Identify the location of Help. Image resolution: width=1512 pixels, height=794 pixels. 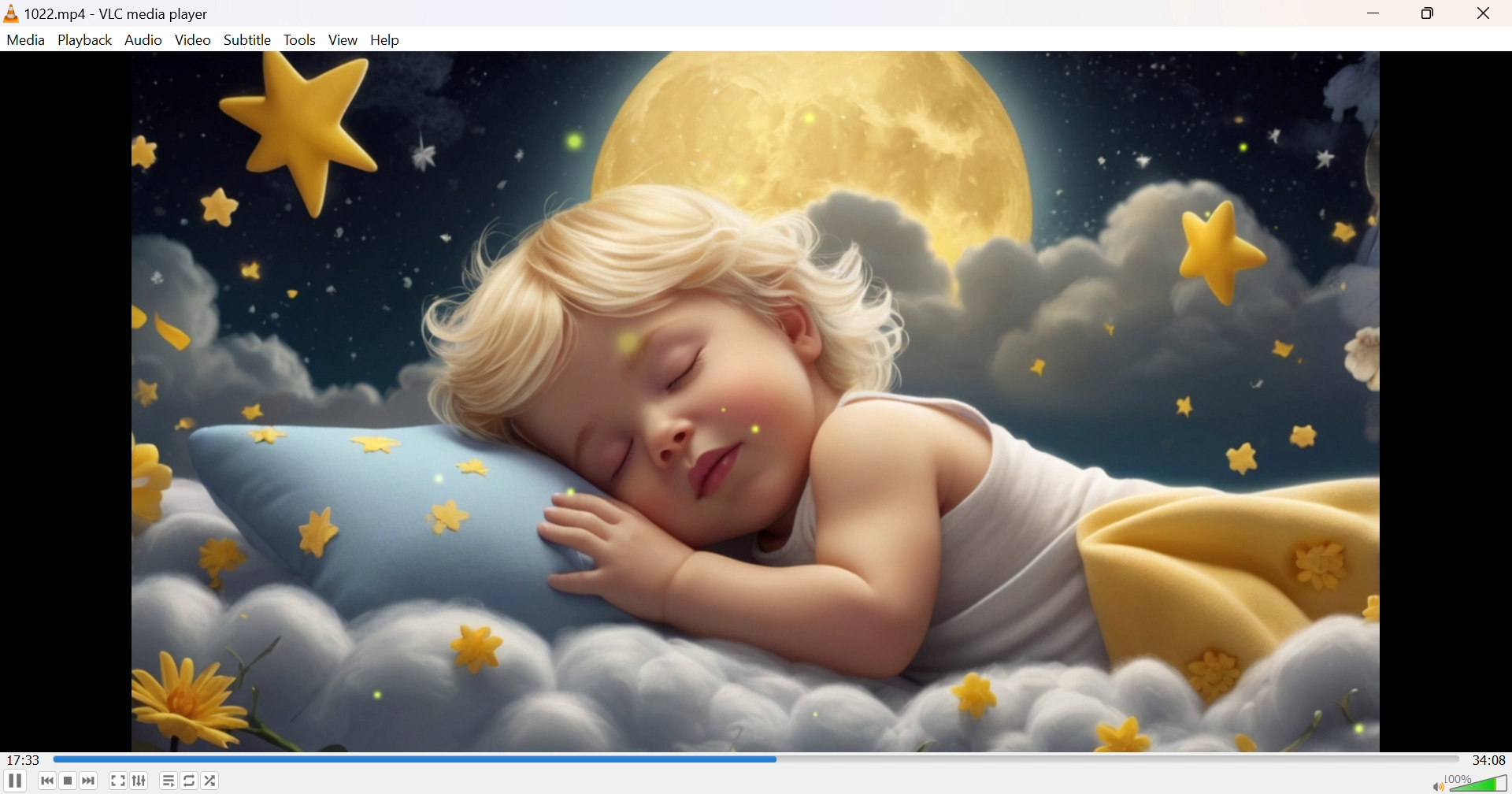
(388, 39).